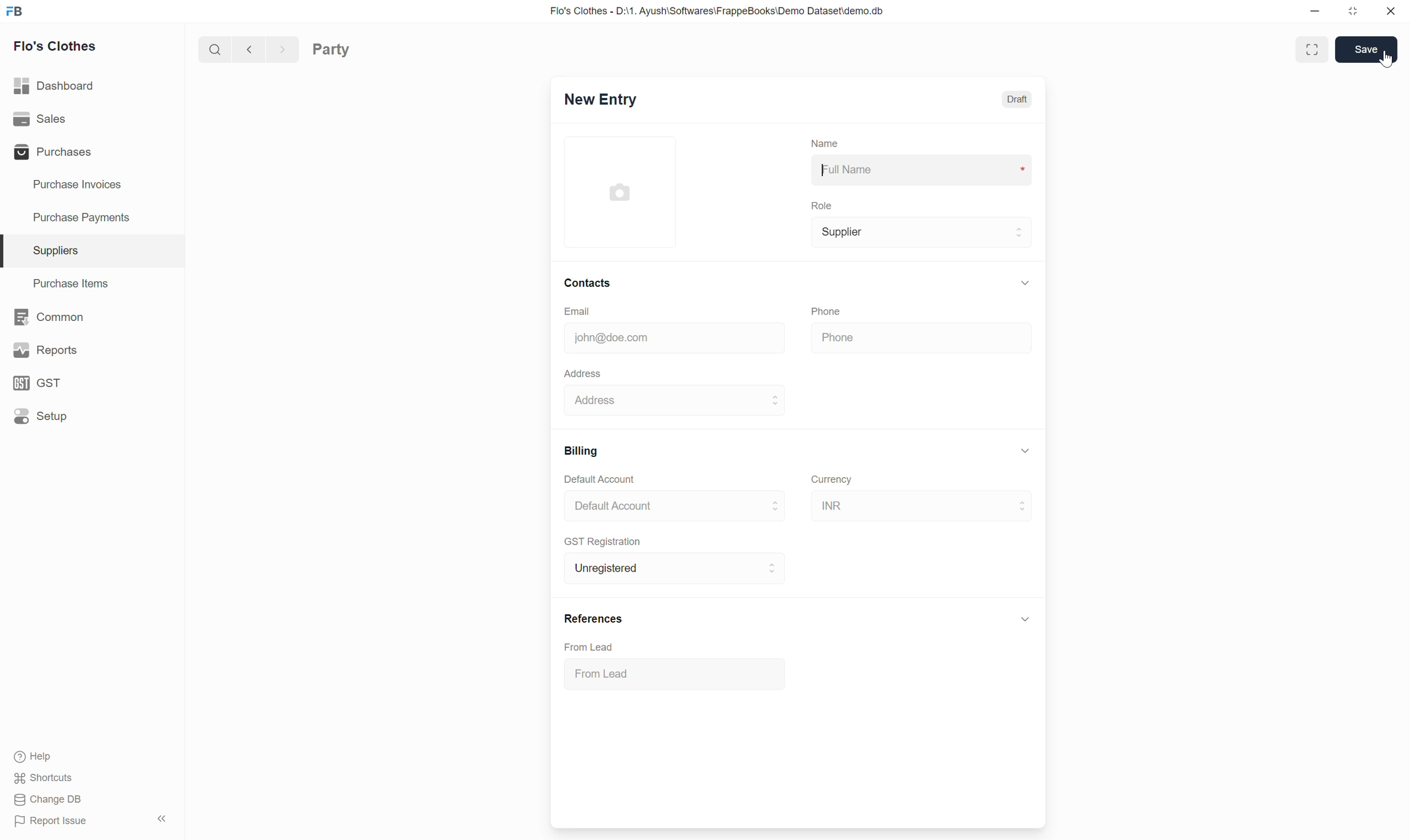 This screenshot has width=1410, height=840. What do you see at coordinates (922, 505) in the screenshot?
I see `INR` at bounding box center [922, 505].